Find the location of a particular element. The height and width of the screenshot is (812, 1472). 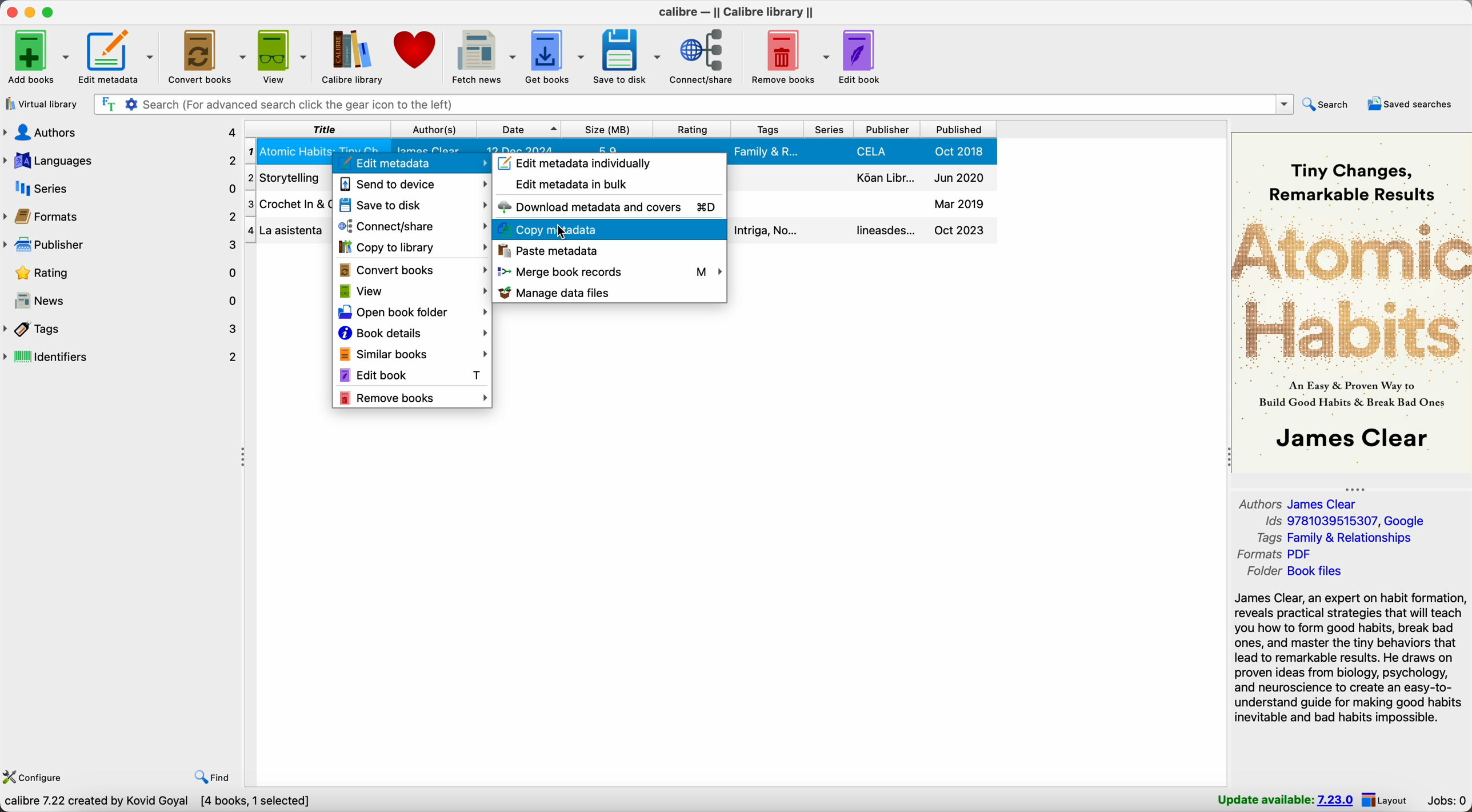

remove books is located at coordinates (414, 399).